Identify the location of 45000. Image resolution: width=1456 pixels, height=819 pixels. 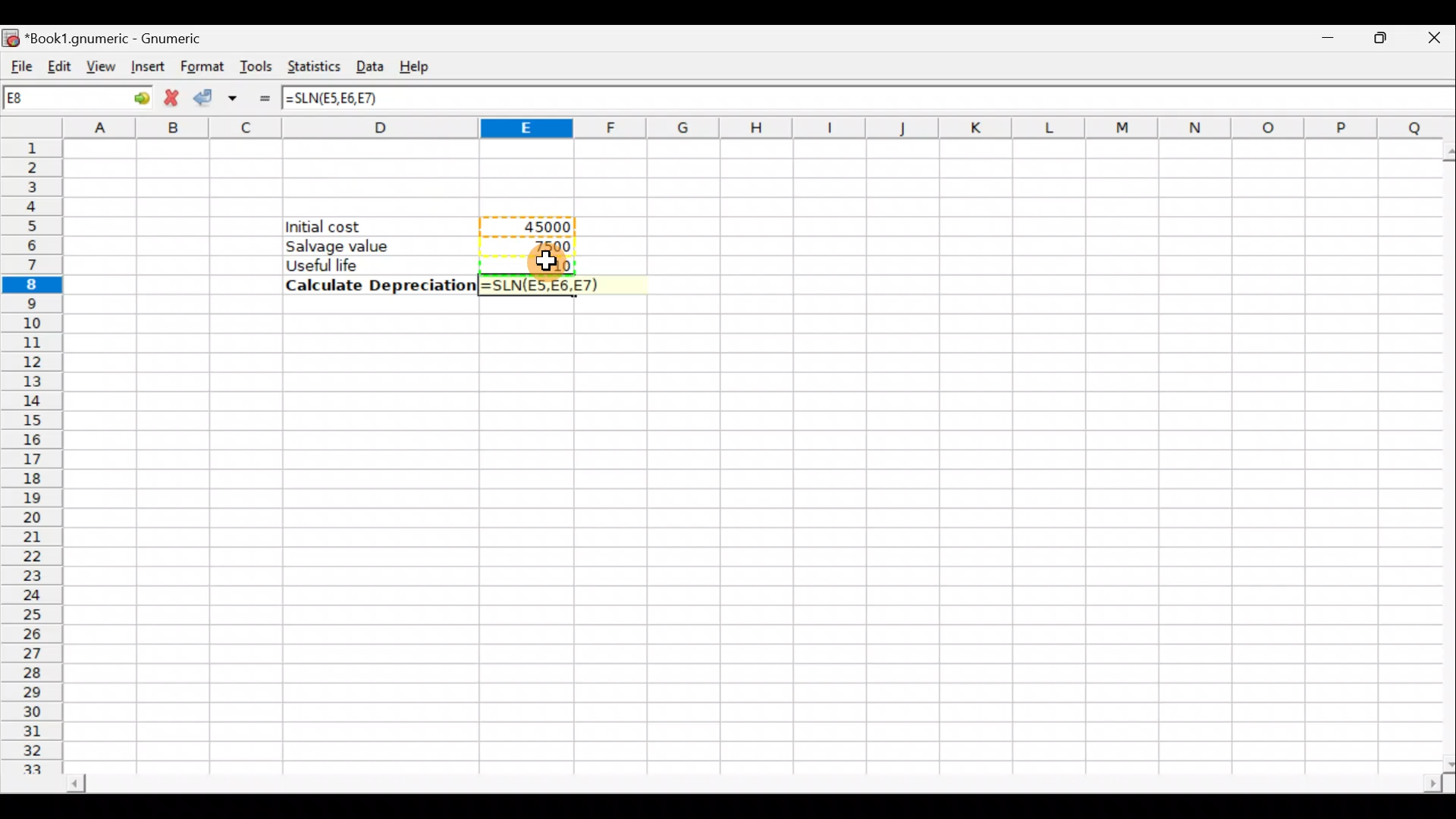
(543, 224).